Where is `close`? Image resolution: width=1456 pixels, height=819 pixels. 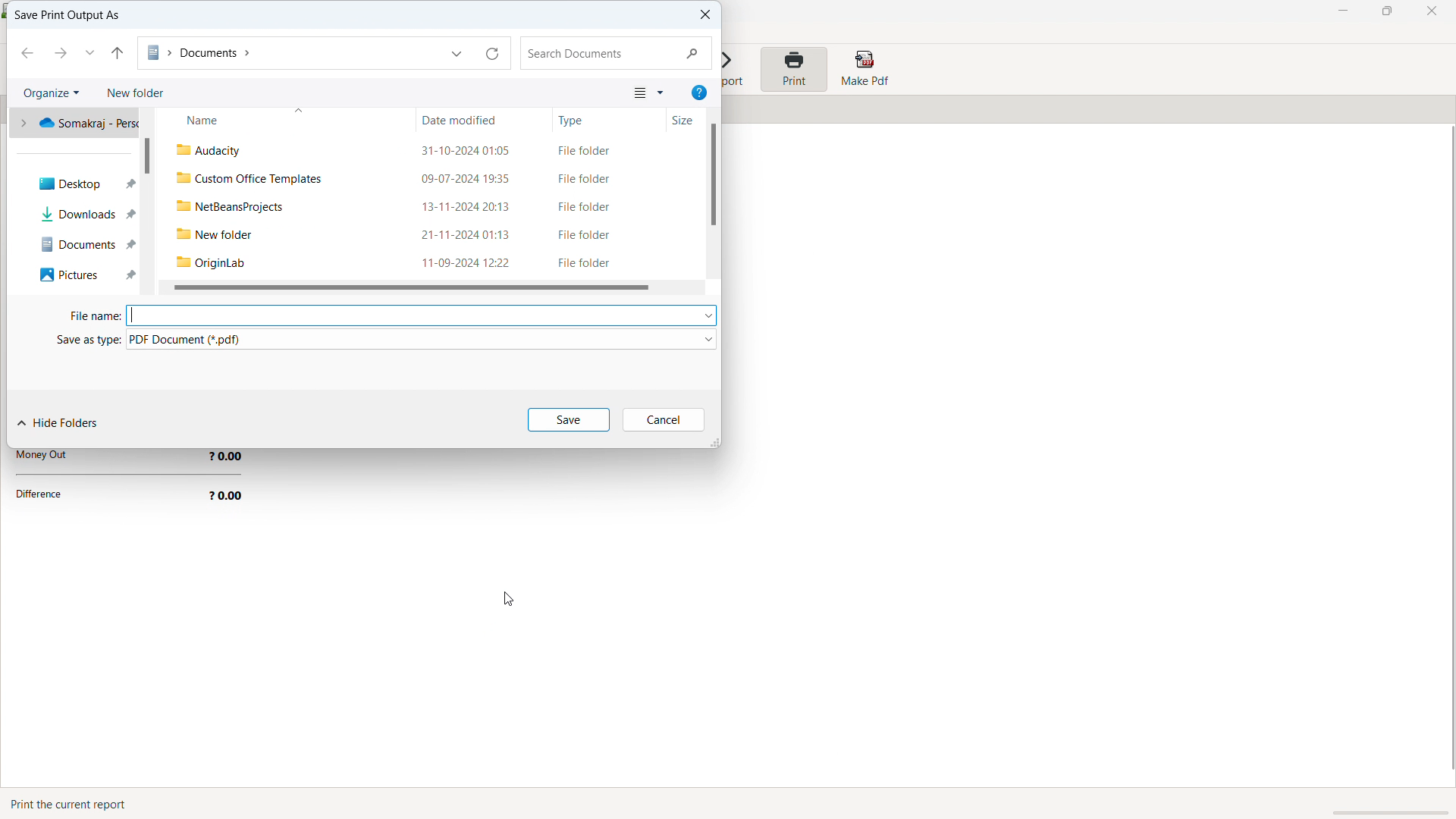 close is located at coordinates (702, 15).